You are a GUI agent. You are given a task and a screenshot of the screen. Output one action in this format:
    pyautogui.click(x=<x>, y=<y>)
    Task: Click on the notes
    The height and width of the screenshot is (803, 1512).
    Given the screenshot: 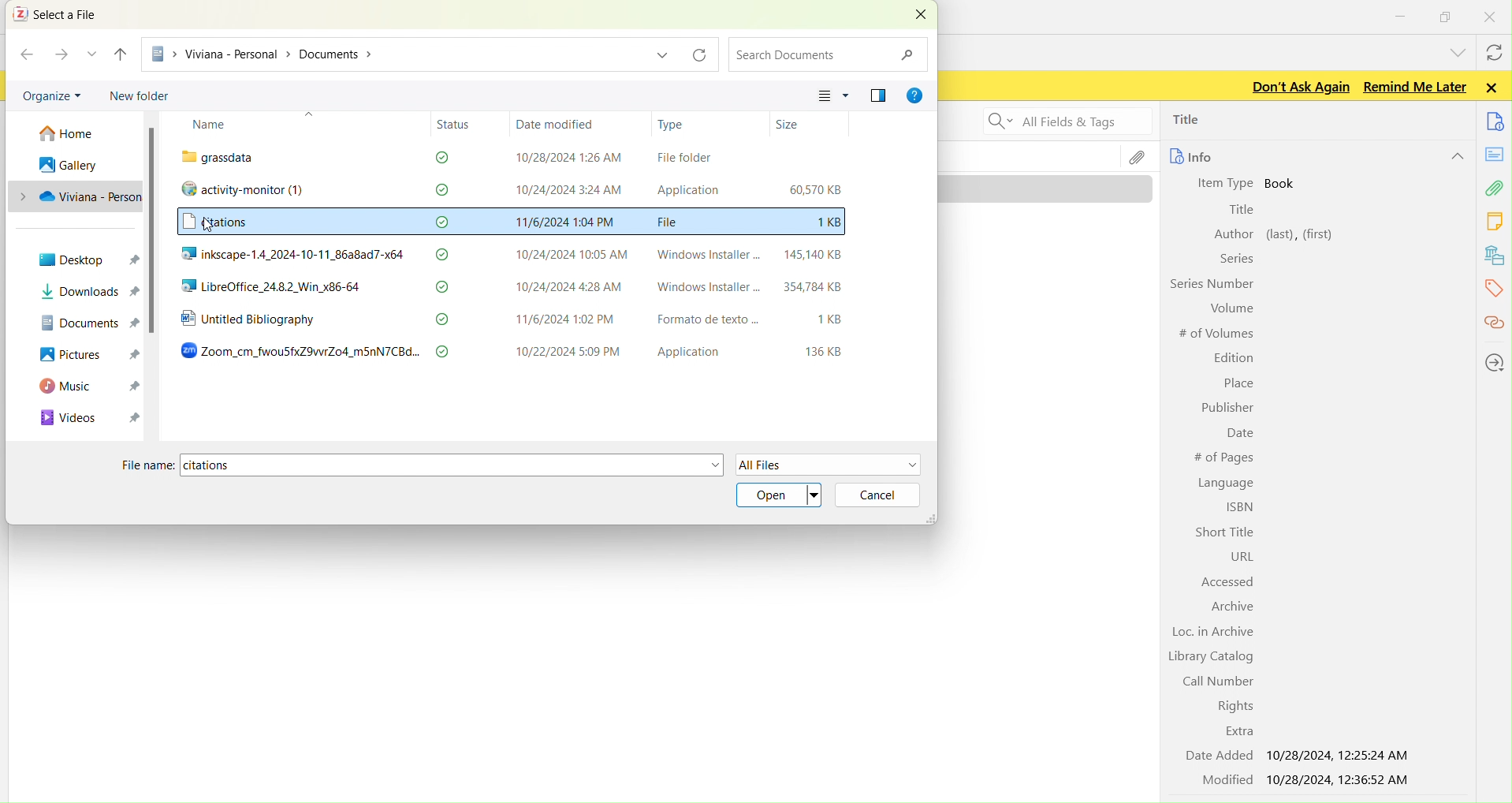 What is the action you would take?
    pyautogui.click(x=1496, y=220)
    